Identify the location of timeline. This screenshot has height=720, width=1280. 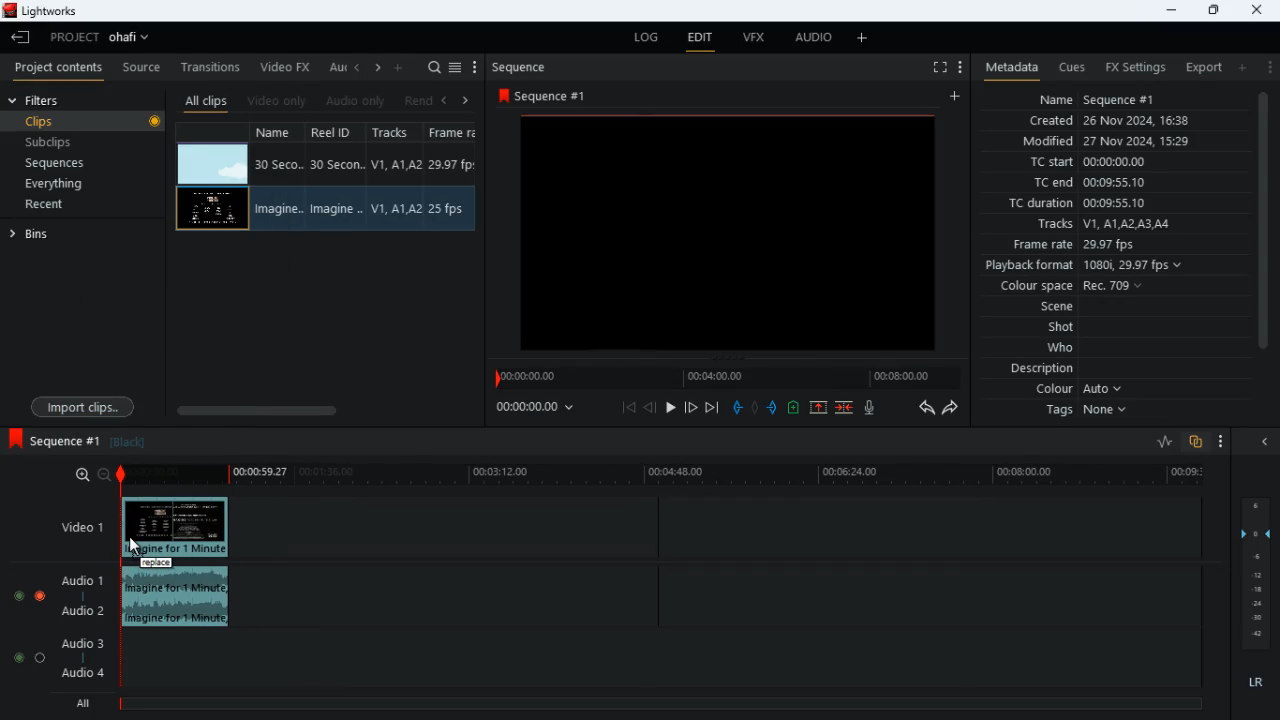
(659, 702).